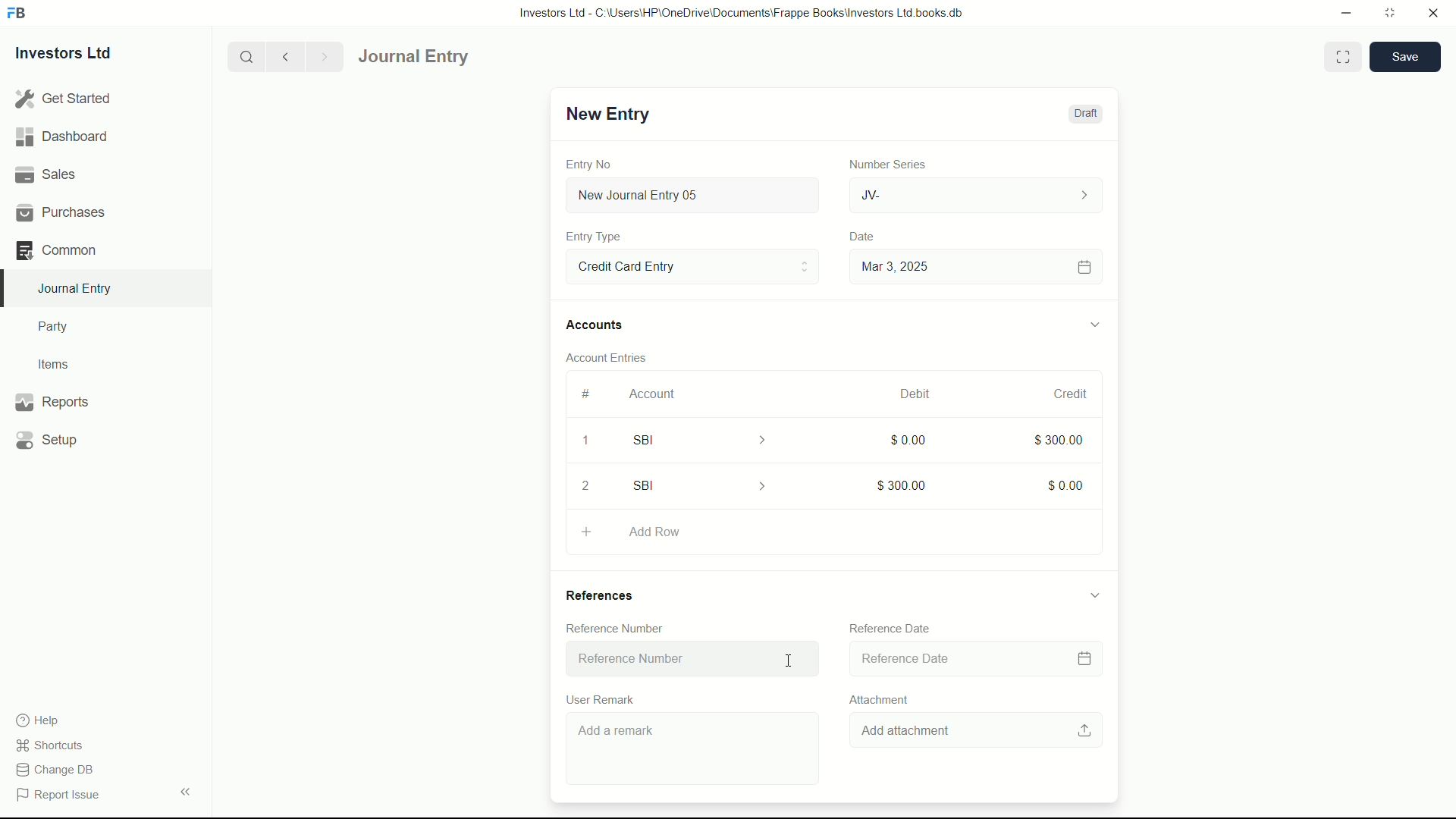  Describe the element at coordinates (978, 193) in the screenshot. I see `JV` at that location.